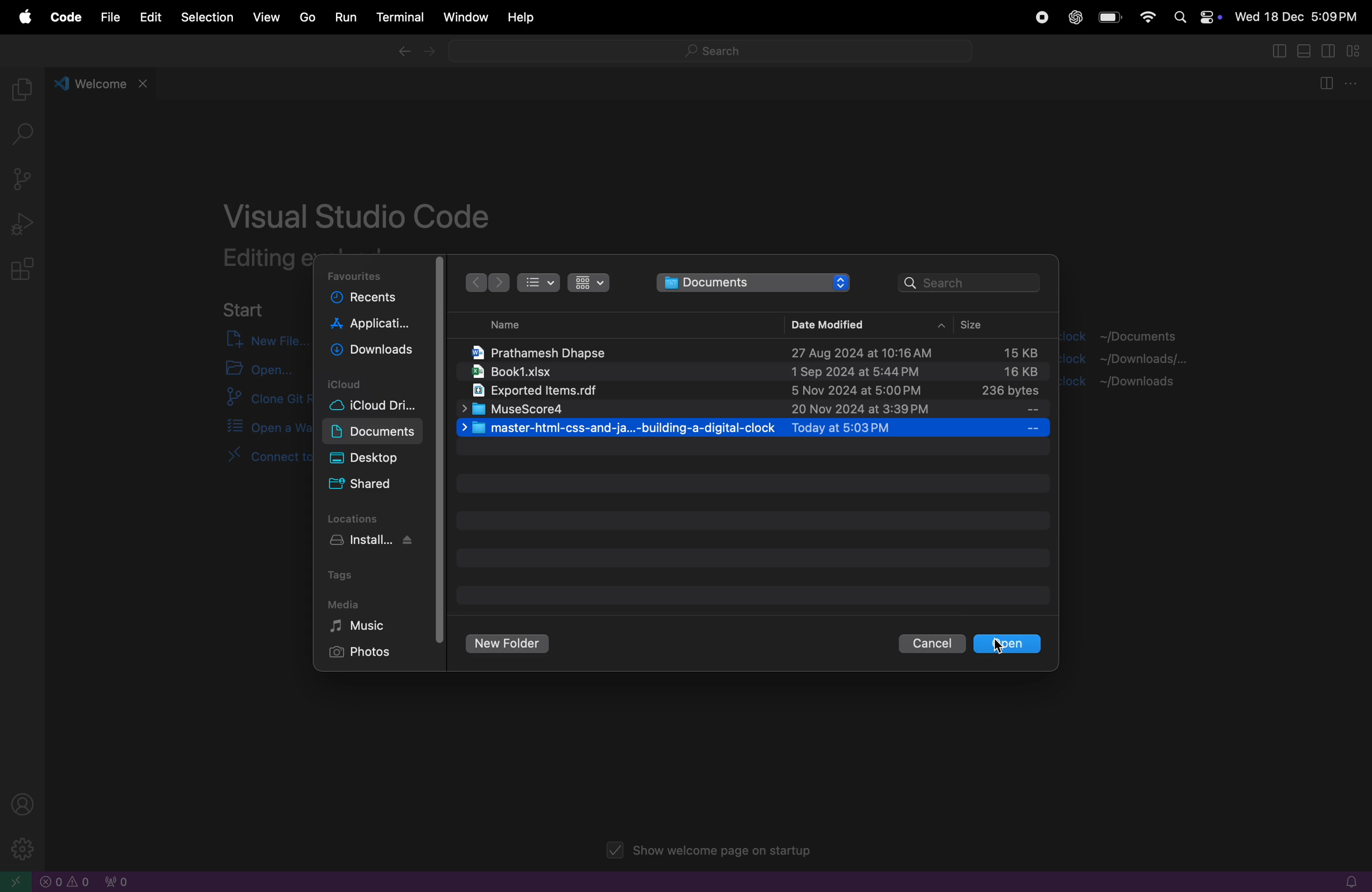  I want to click on sort with bullet, so click(538, 282).